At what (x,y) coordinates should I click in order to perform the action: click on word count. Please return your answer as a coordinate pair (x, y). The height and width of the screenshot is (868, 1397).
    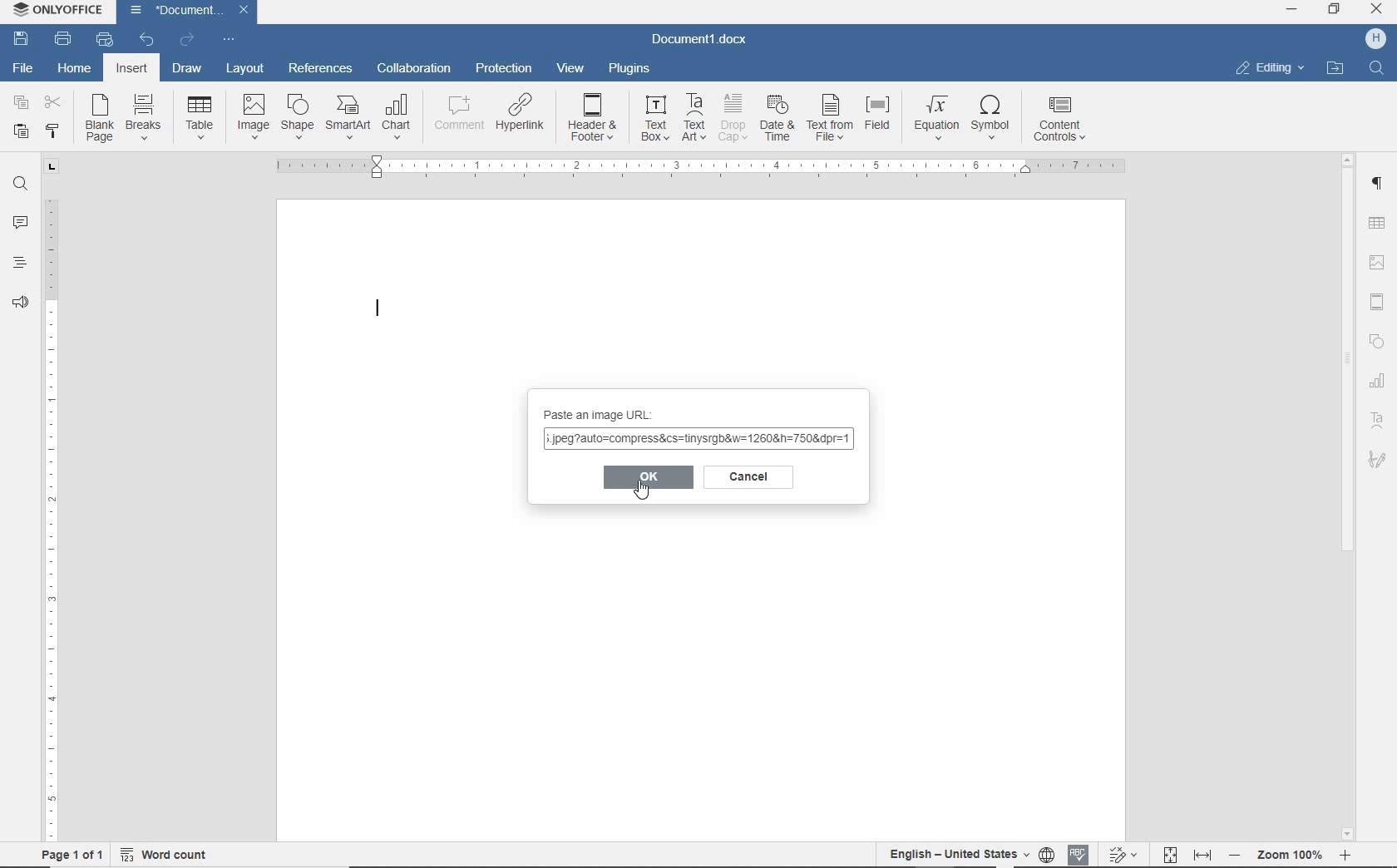
    Looking at the image, I should click on (169, 856).